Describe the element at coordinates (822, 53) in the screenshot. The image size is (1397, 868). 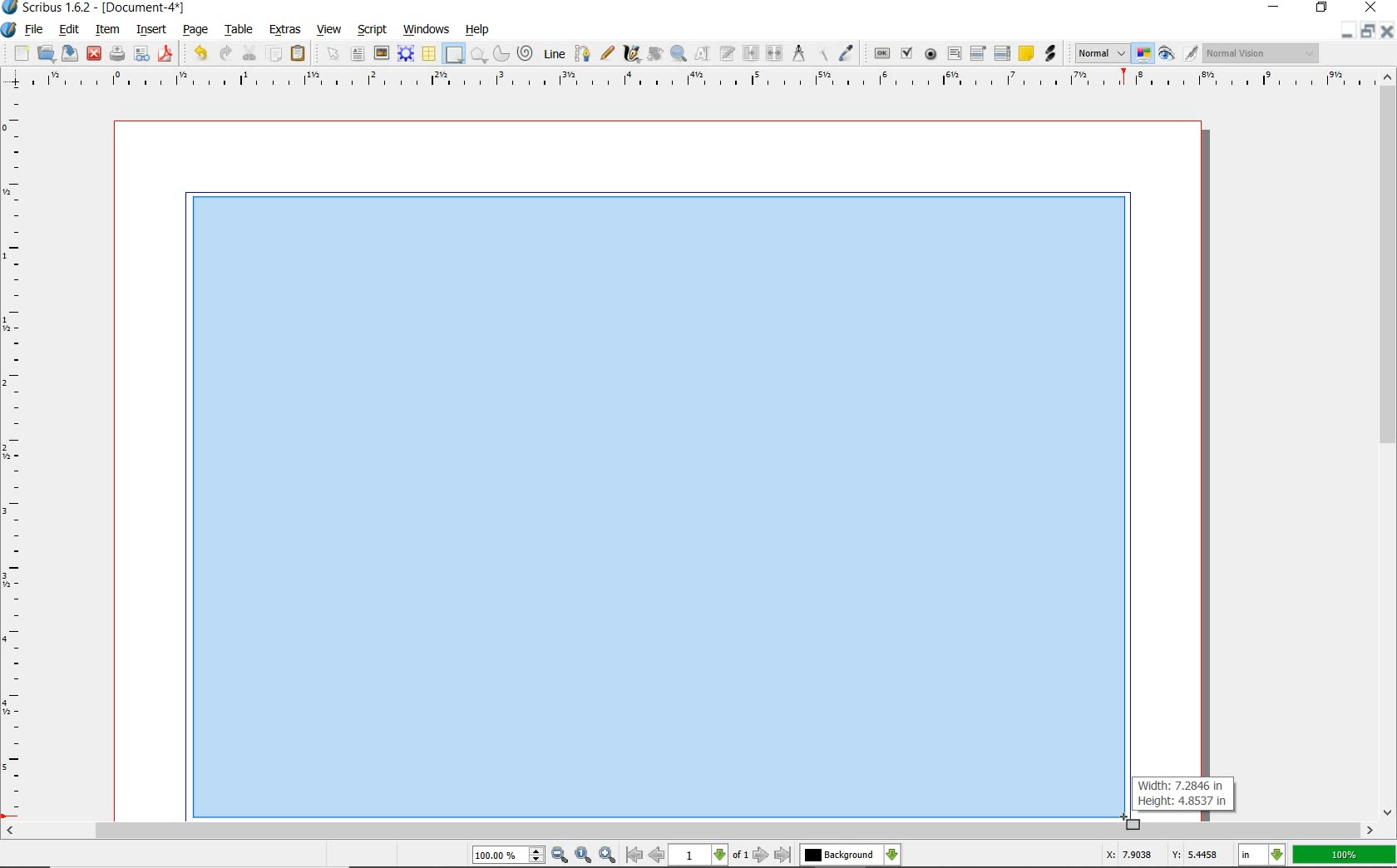
I see `copy item properties` at that location.